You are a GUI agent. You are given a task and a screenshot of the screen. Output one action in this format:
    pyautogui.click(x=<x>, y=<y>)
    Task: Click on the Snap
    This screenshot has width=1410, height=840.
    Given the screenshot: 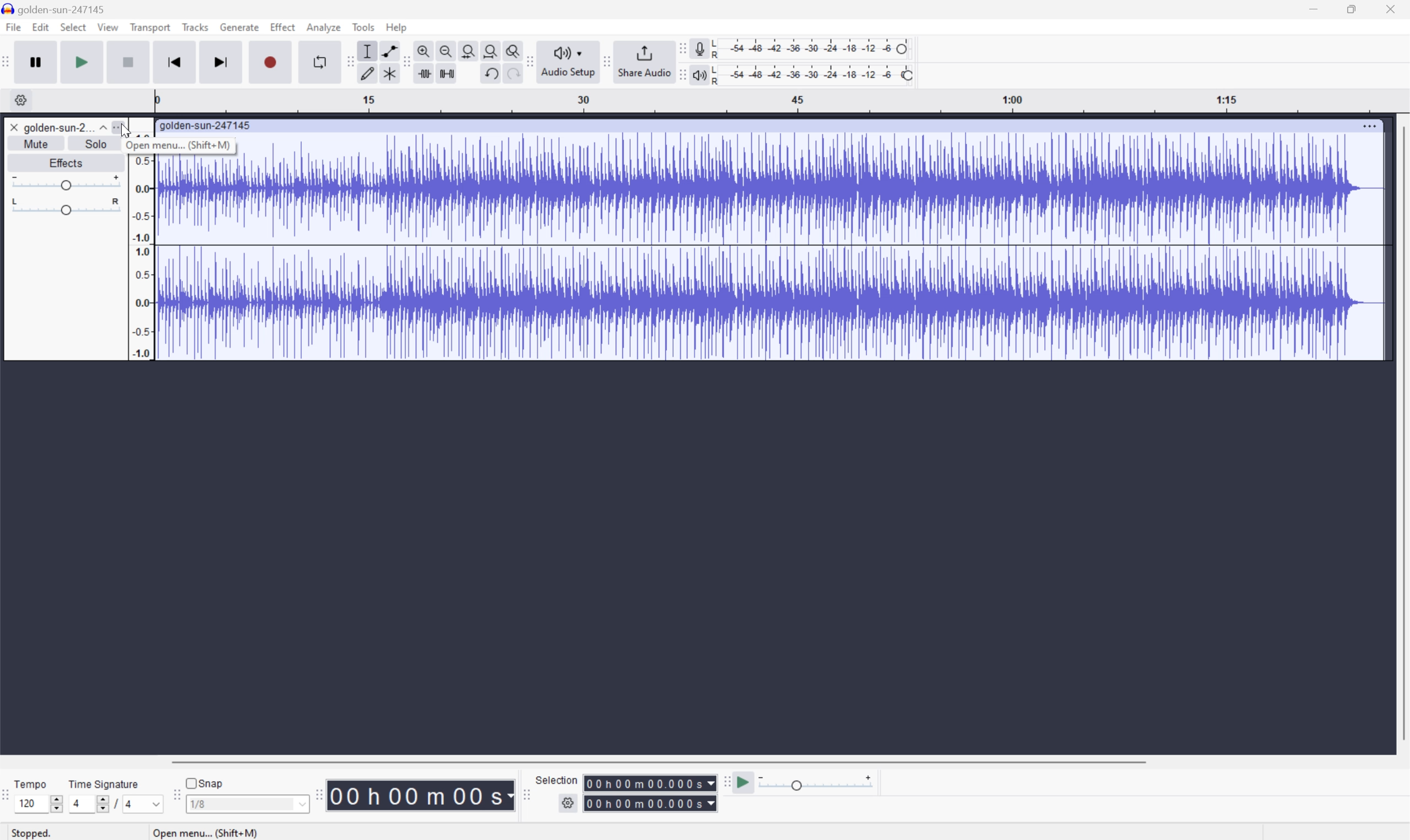 What is the action you would take?
    pyautogui.click(x=206, y=783)
    